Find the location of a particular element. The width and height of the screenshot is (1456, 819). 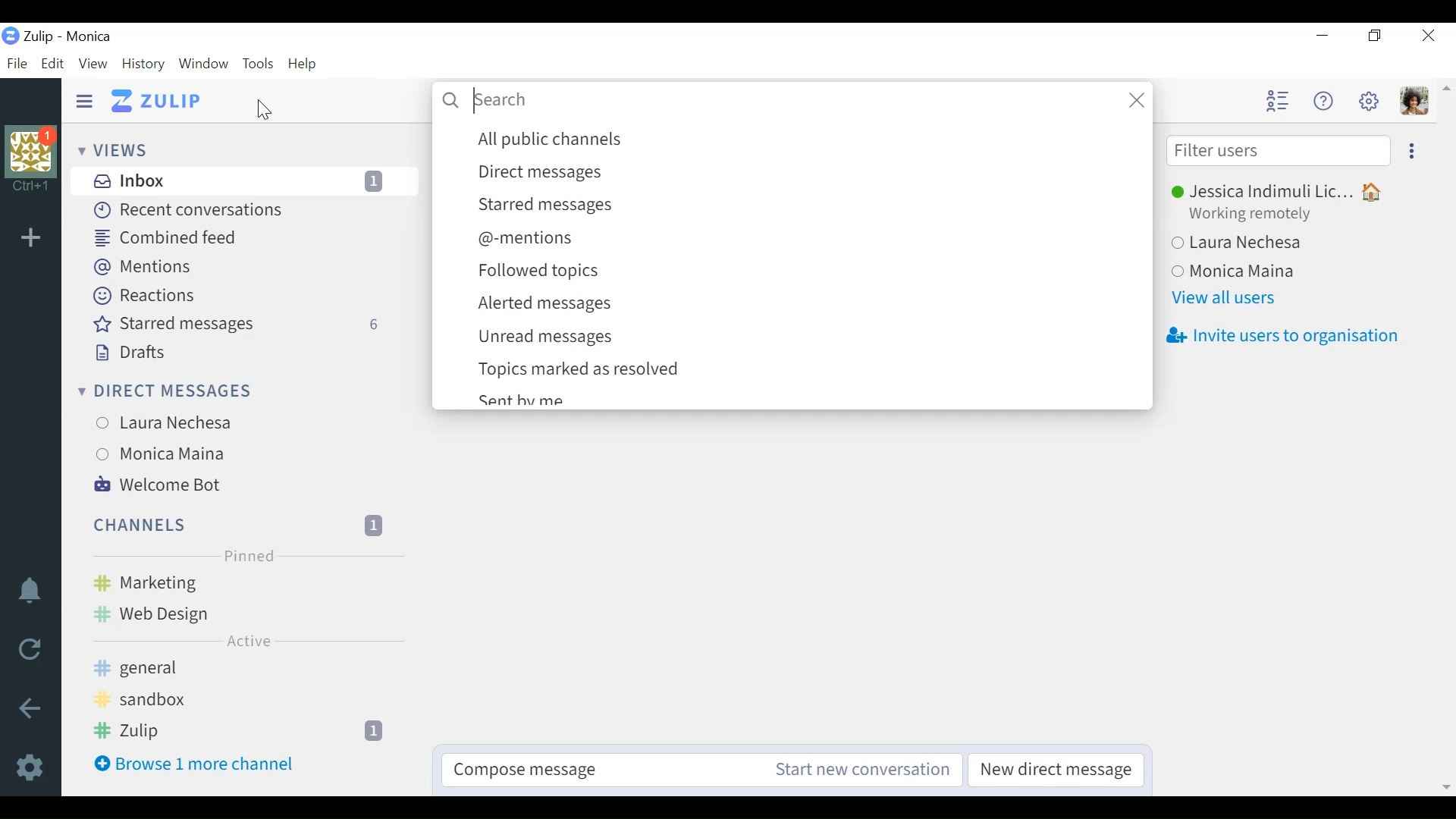

Direct messages dropdown is located at coordinates (162, 392).